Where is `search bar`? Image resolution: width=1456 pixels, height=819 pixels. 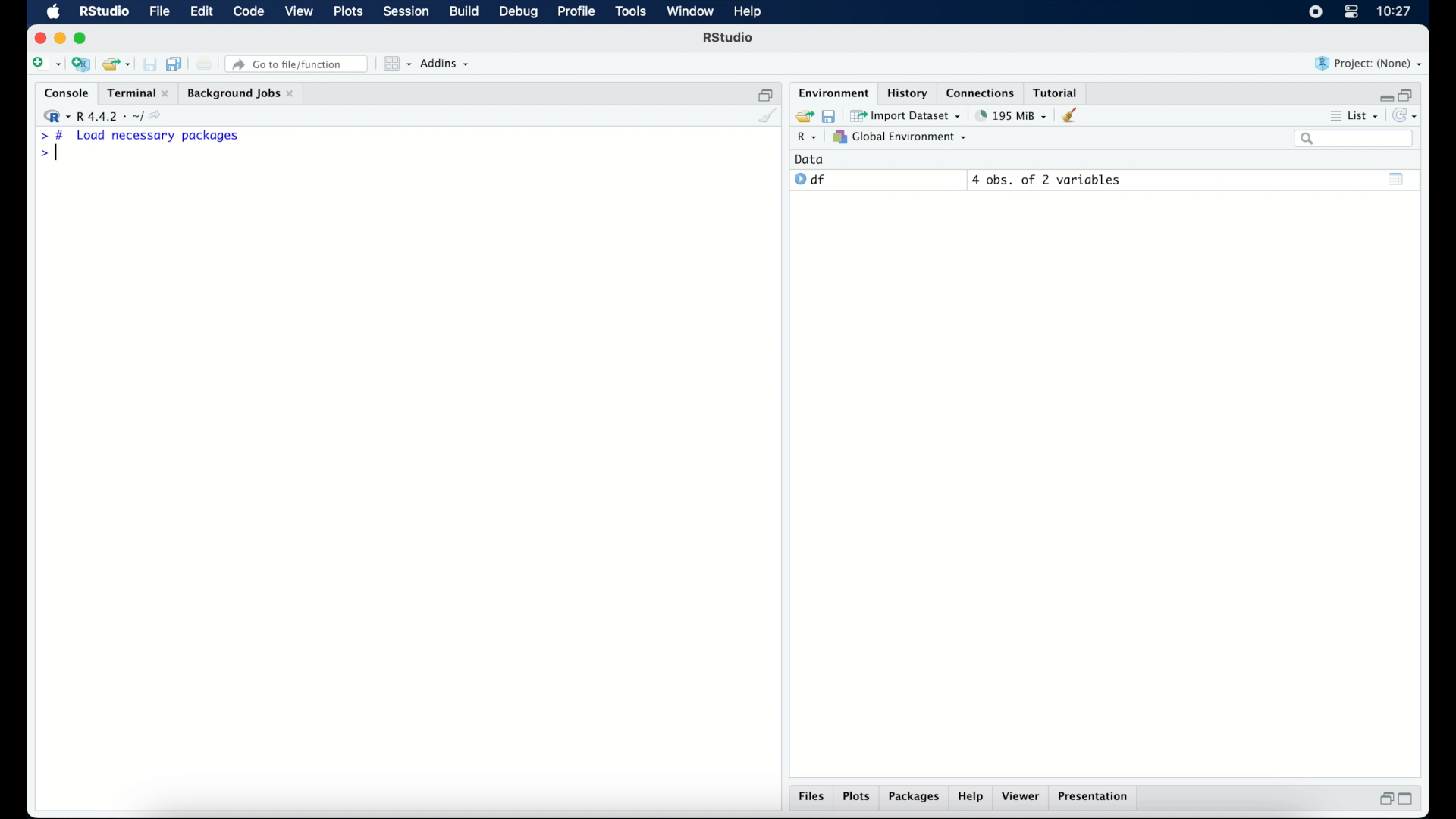
search bar is located at coordinates (1353, 140).